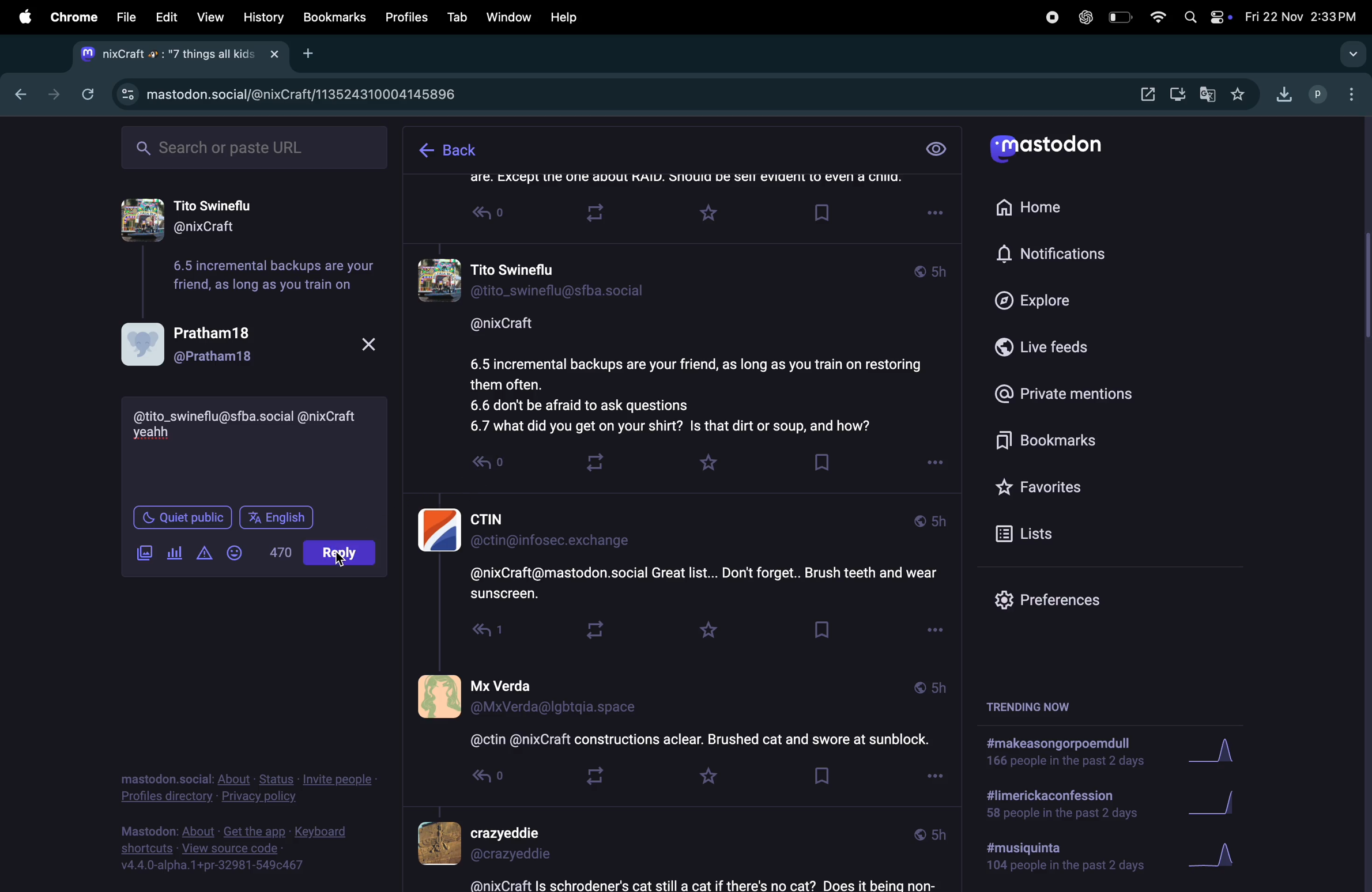 This screenshot has width=1372, height=892. I want to click on Options, so click(936, 214).